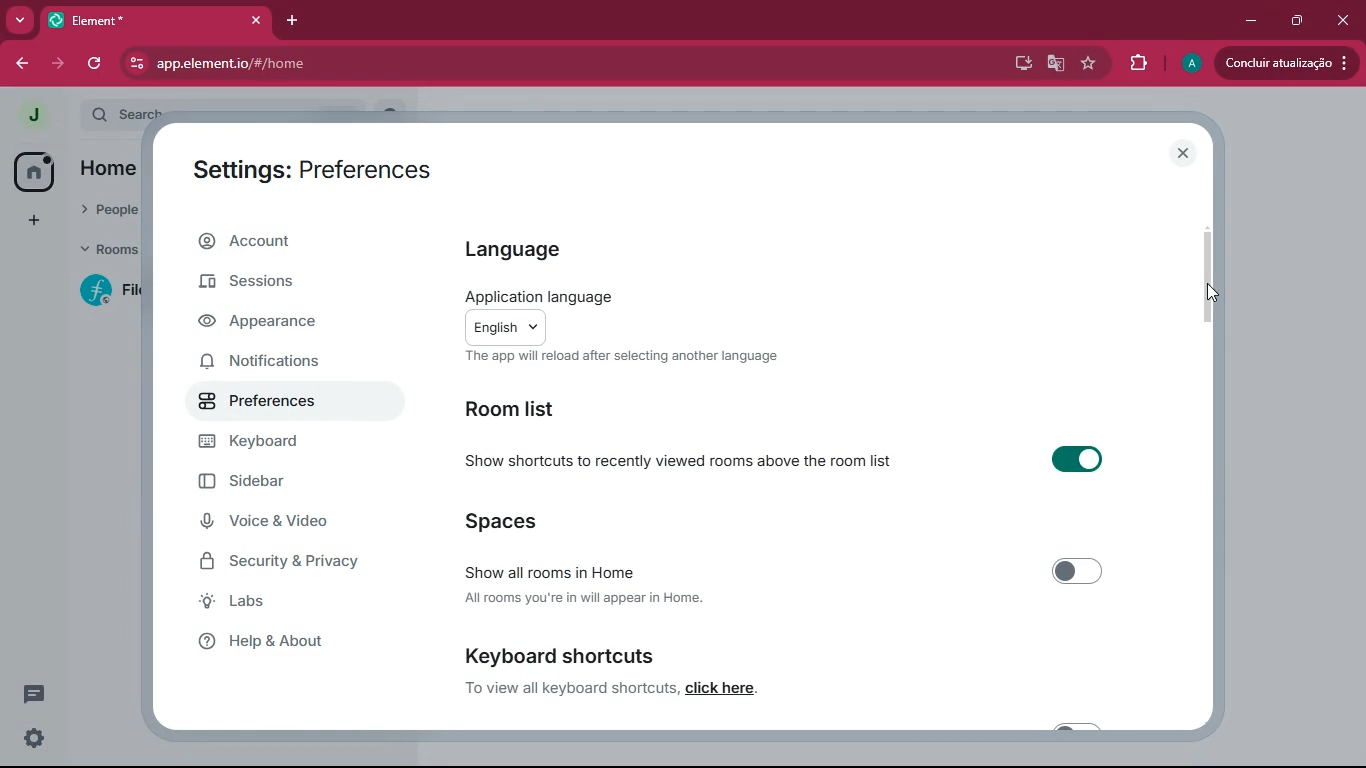 The width and height of the screenshot is (1366, 768). What do you see at coordinates (280, 445) in the screenshot?
I see `keyboard` at bounding box center [280, 445].